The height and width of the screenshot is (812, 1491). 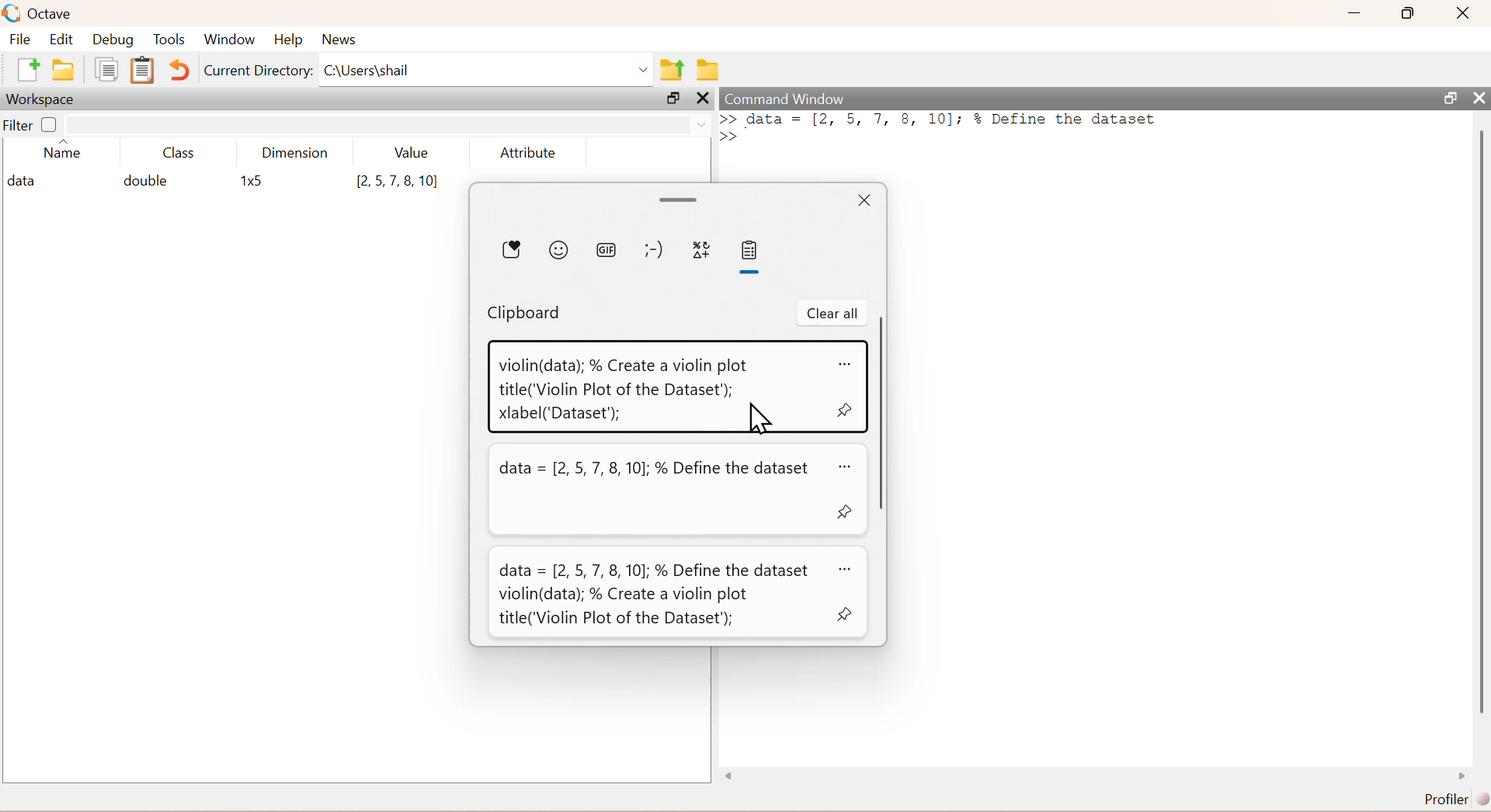 I want to click on data, so click(x=26, y=182).